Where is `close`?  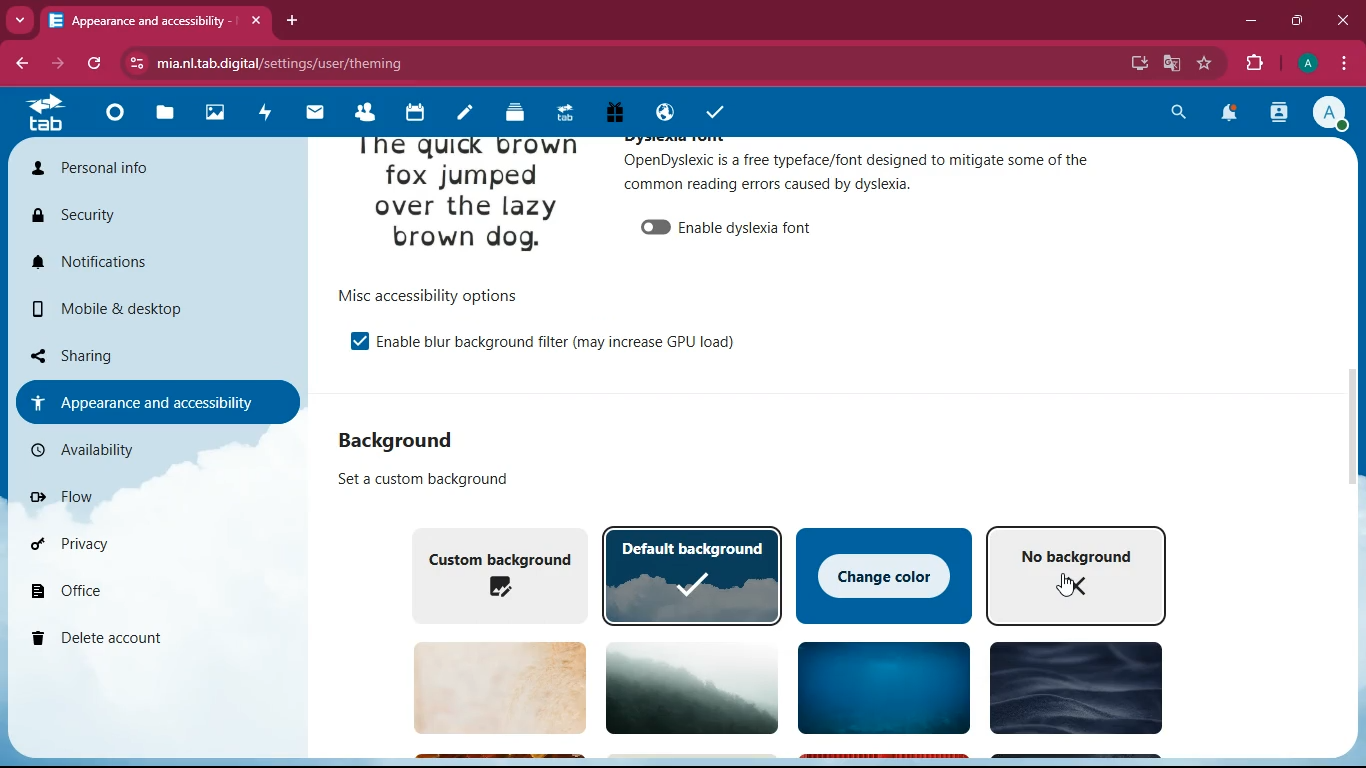 close is located at coordinates (1342, 19).